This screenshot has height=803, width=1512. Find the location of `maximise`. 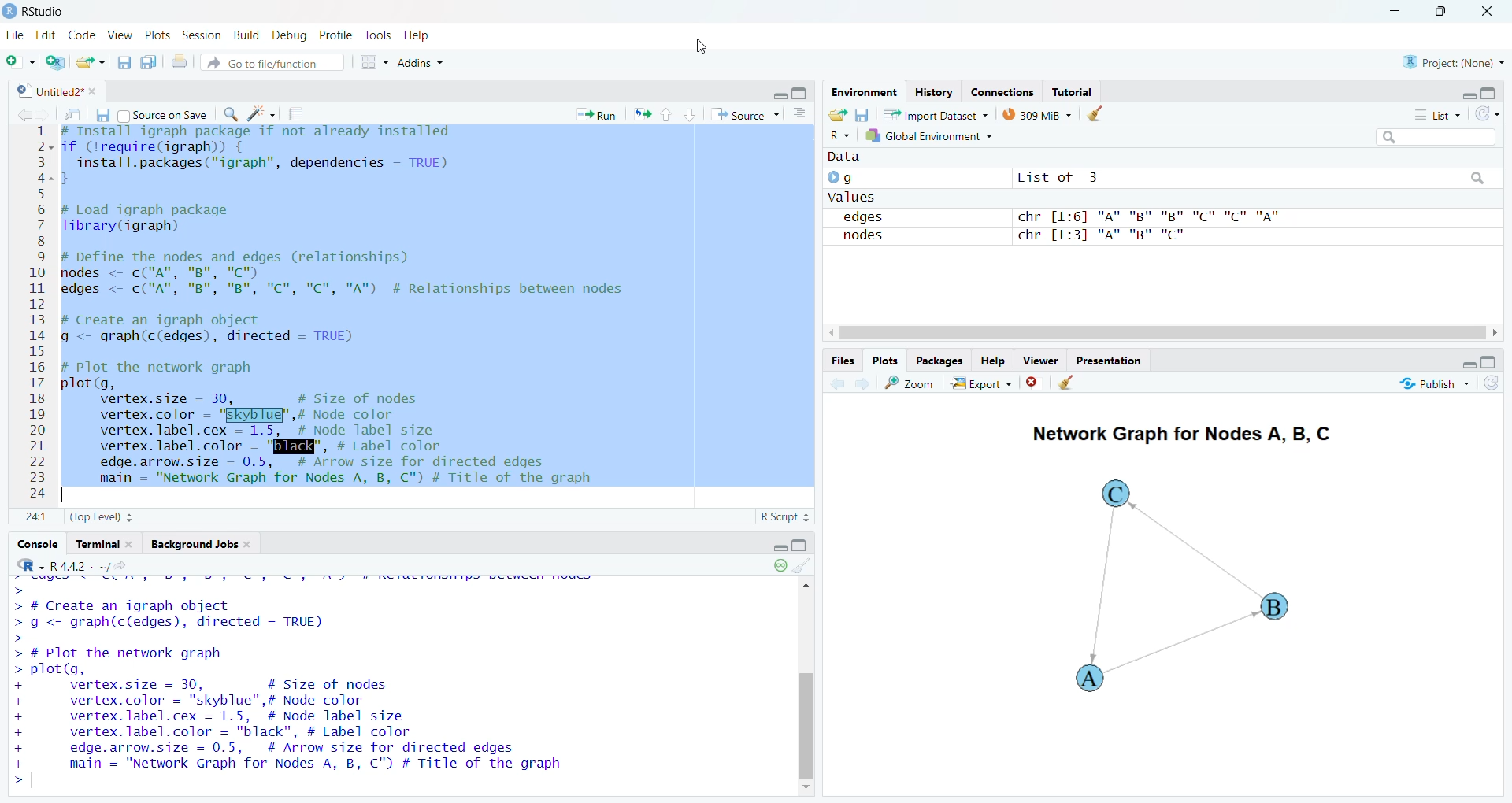

maximise is located at coordinates (1444, 12).